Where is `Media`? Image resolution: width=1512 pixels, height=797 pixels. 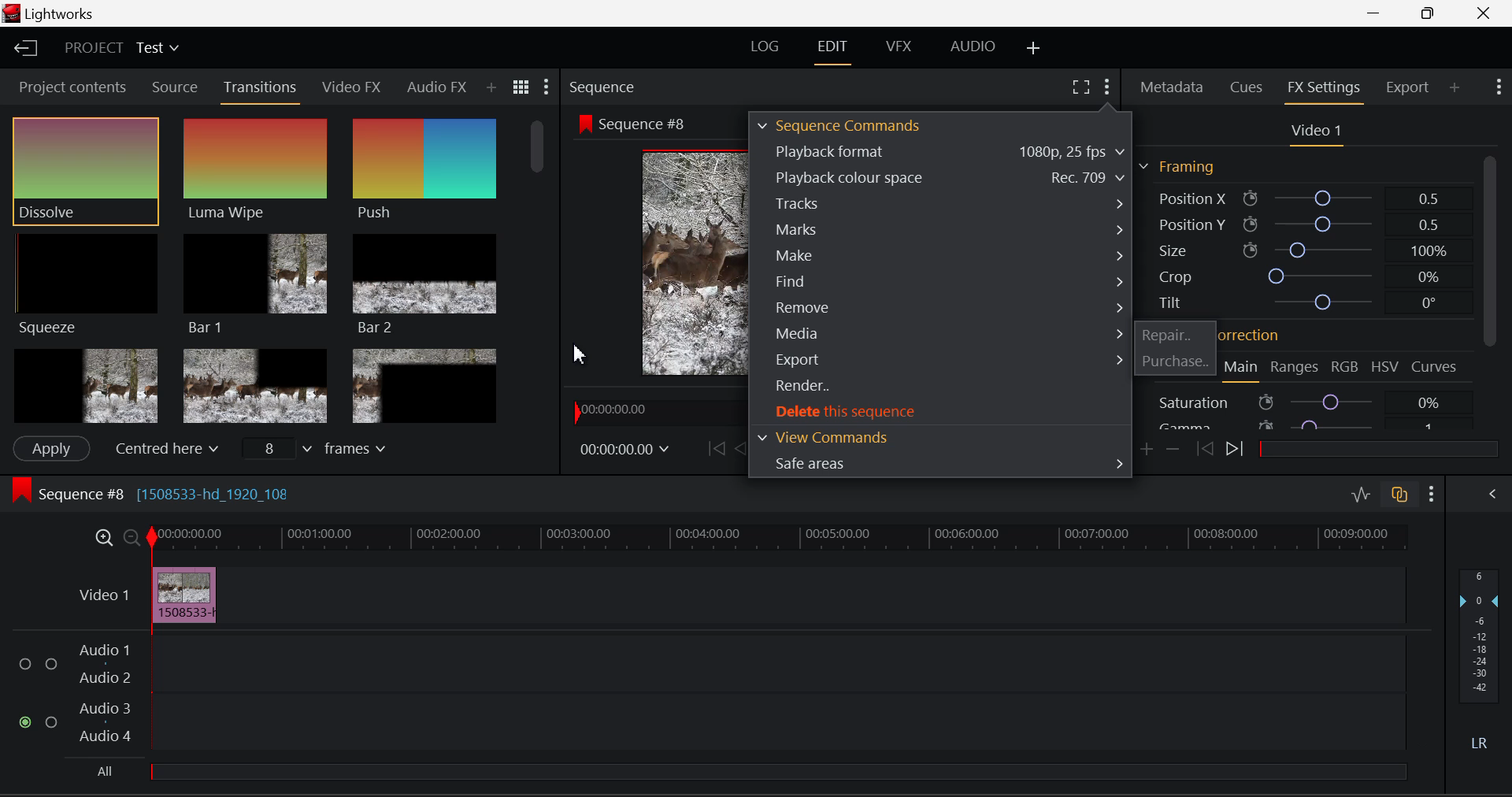
Media is located at coordinates (943, 332).